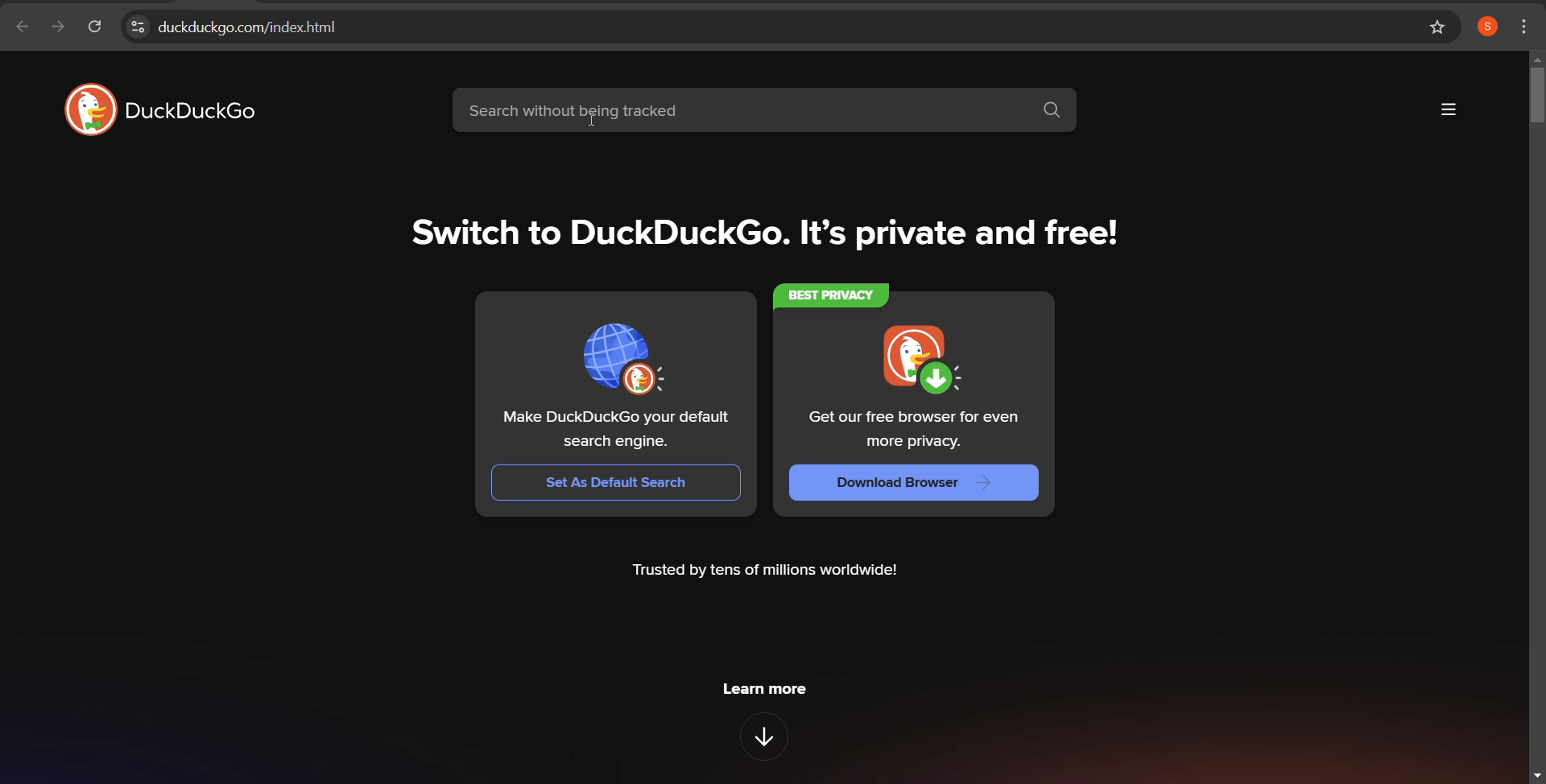 This screenshot has width=1546, height=784. I want to click on customize, so click(1526, 25).